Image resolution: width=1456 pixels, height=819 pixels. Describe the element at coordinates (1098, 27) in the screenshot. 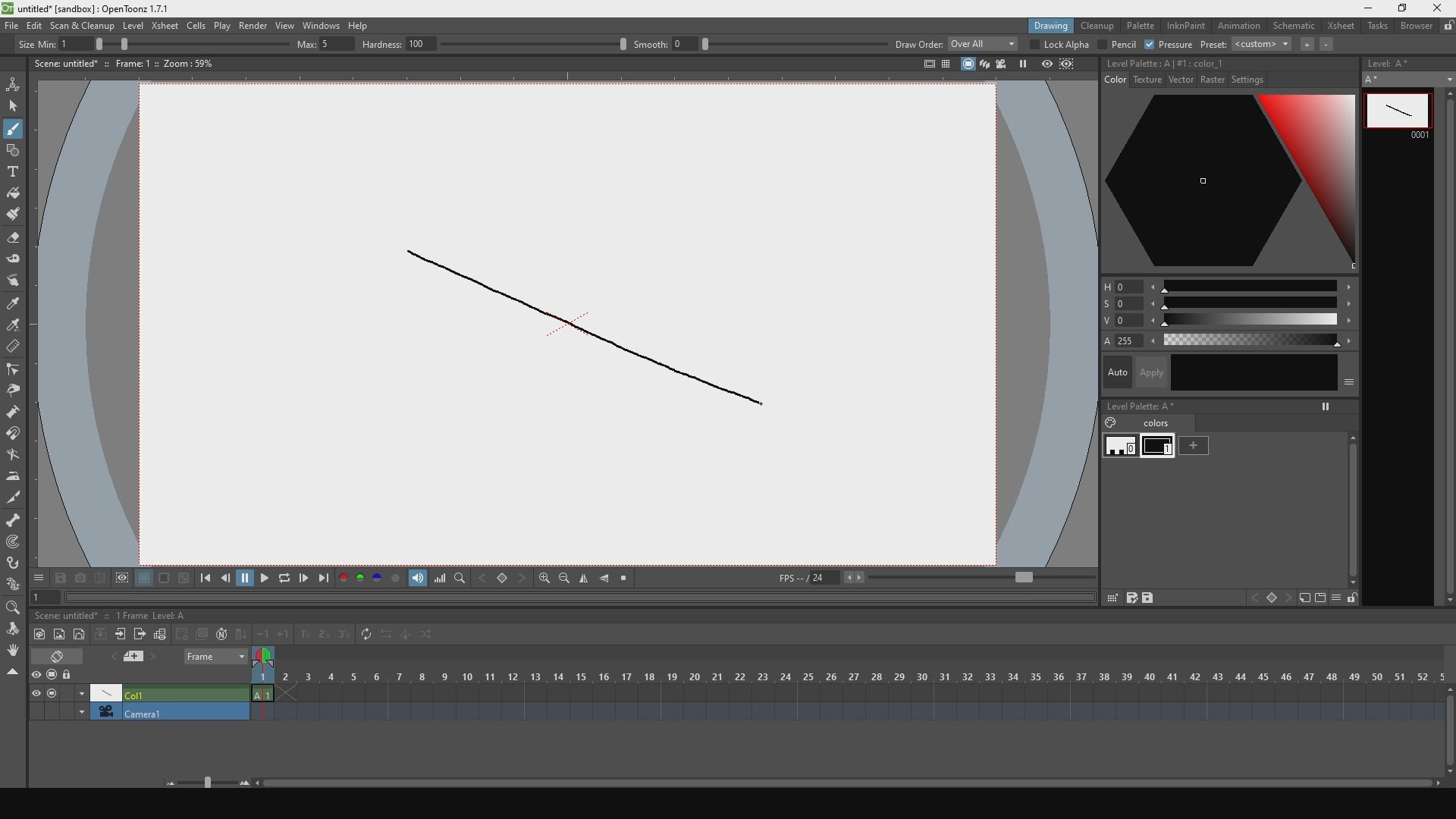

I see `cleanup` at that location.